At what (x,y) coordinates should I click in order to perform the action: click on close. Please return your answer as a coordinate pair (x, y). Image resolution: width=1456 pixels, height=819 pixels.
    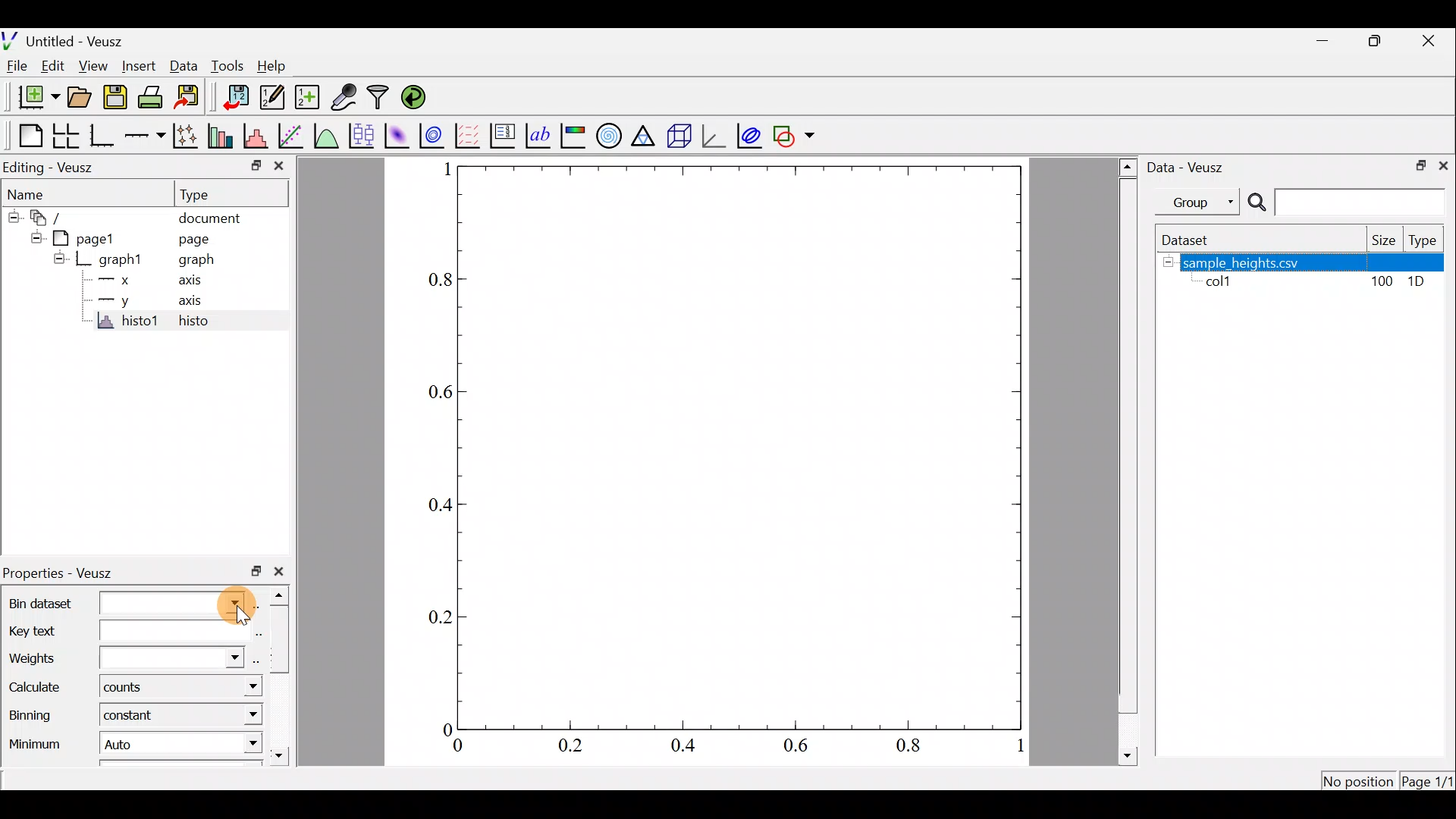
    Looking at the image, I should click on (281, 166).